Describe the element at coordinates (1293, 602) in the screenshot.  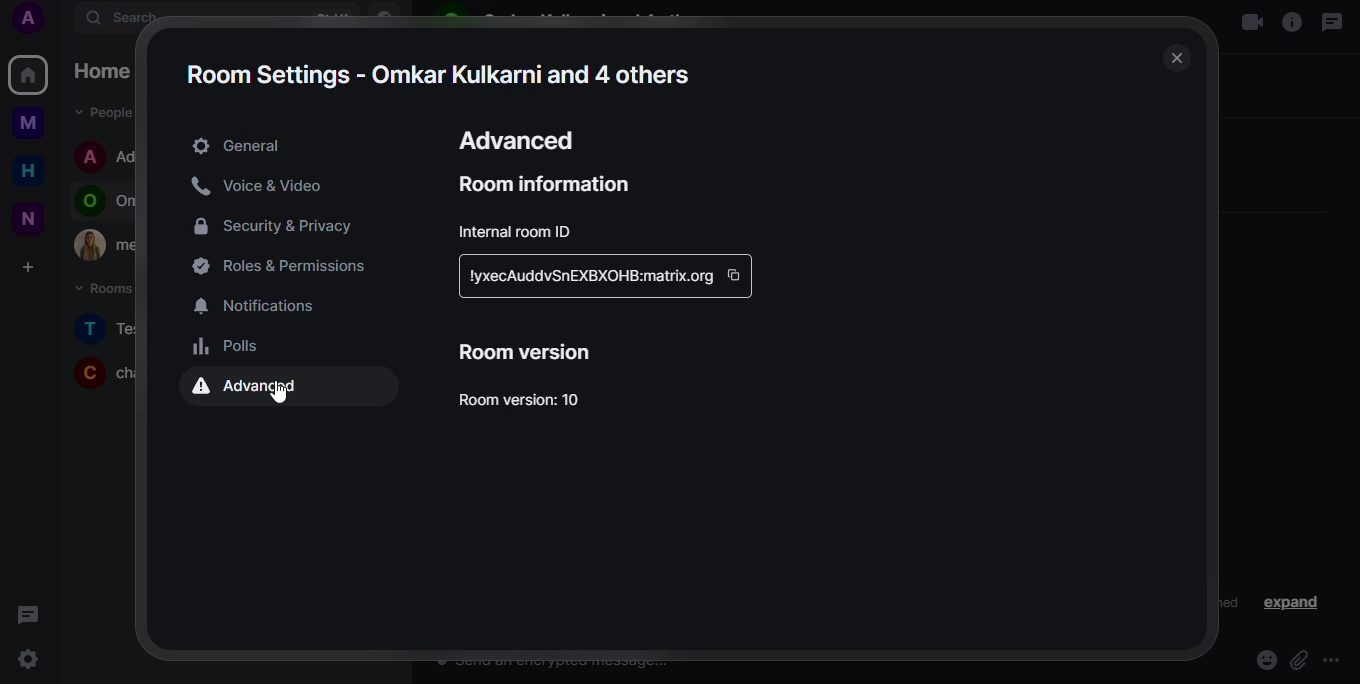
I see `‘expand` at that location.